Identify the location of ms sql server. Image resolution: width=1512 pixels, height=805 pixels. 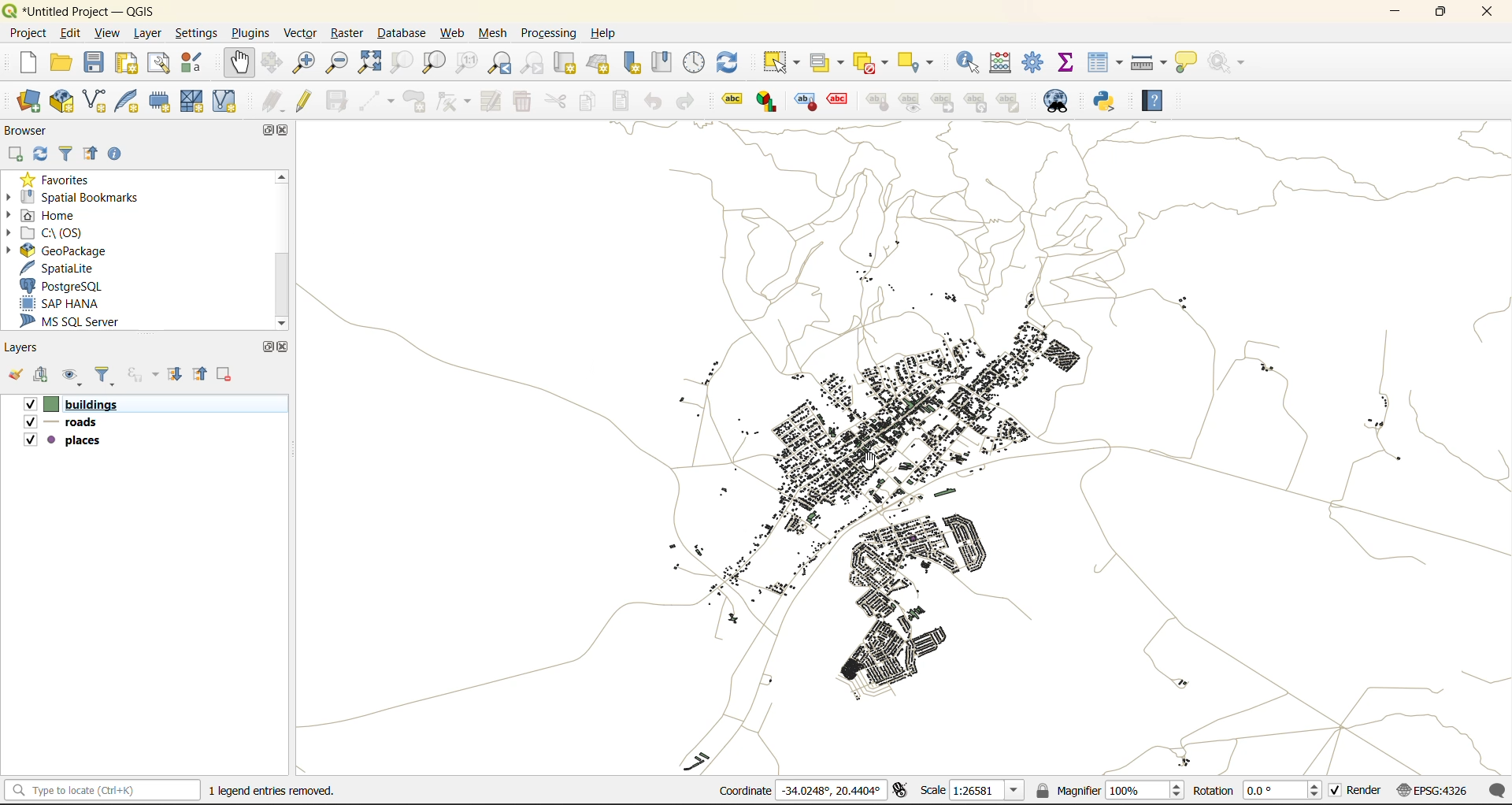
(78, 321).